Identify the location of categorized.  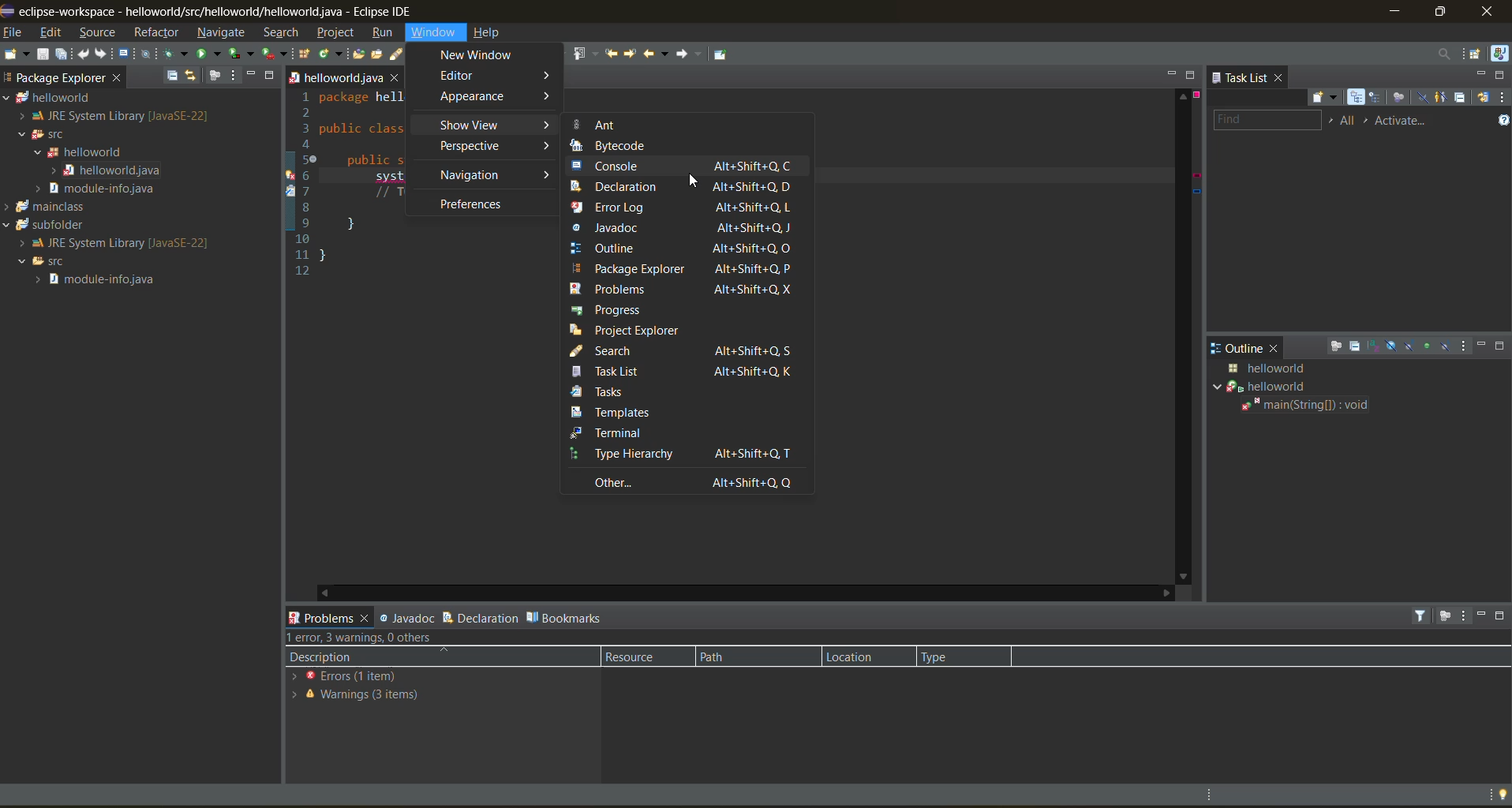
(1357, 95).